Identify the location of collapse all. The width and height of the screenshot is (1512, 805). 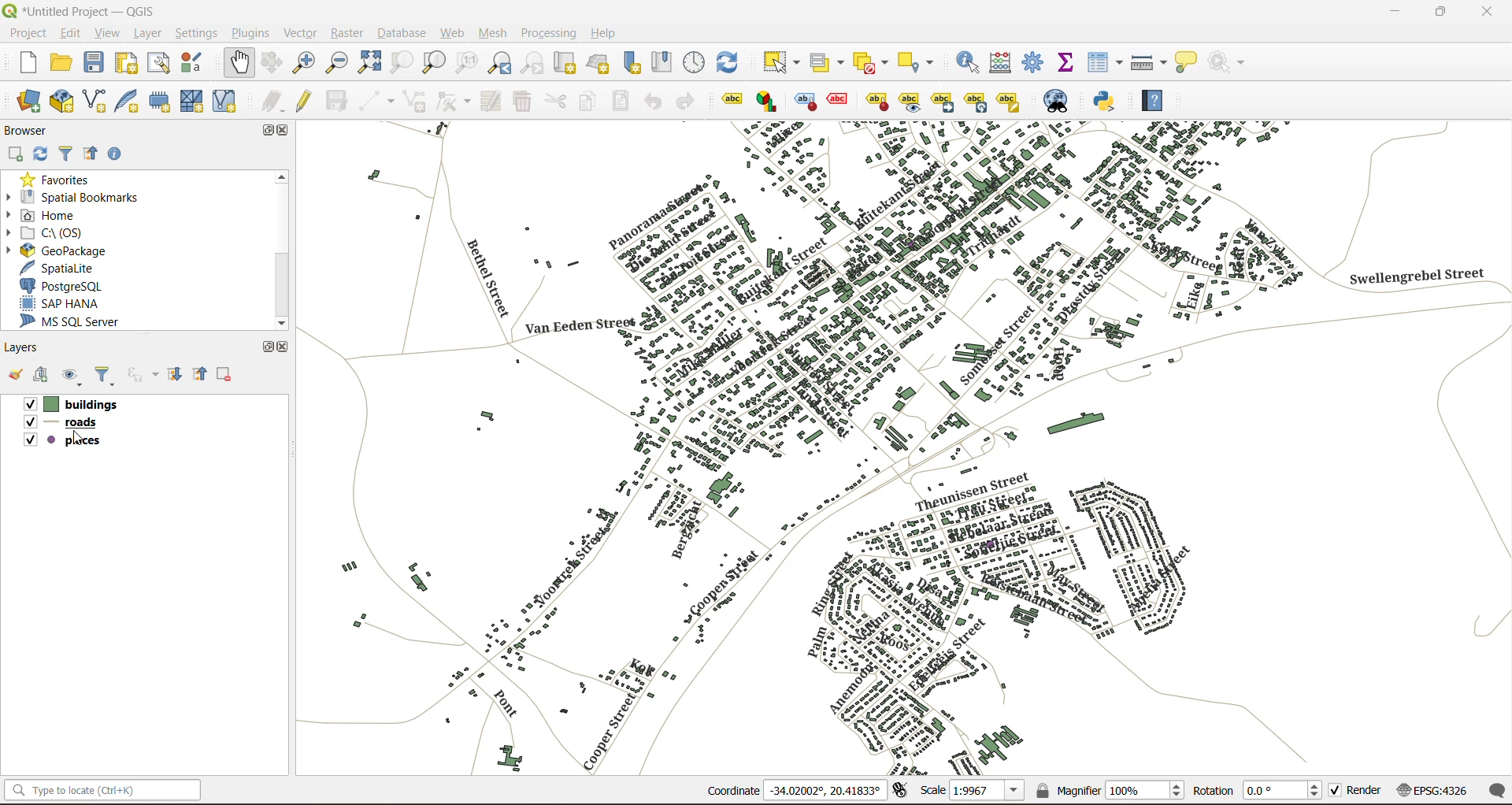
(202, 377).